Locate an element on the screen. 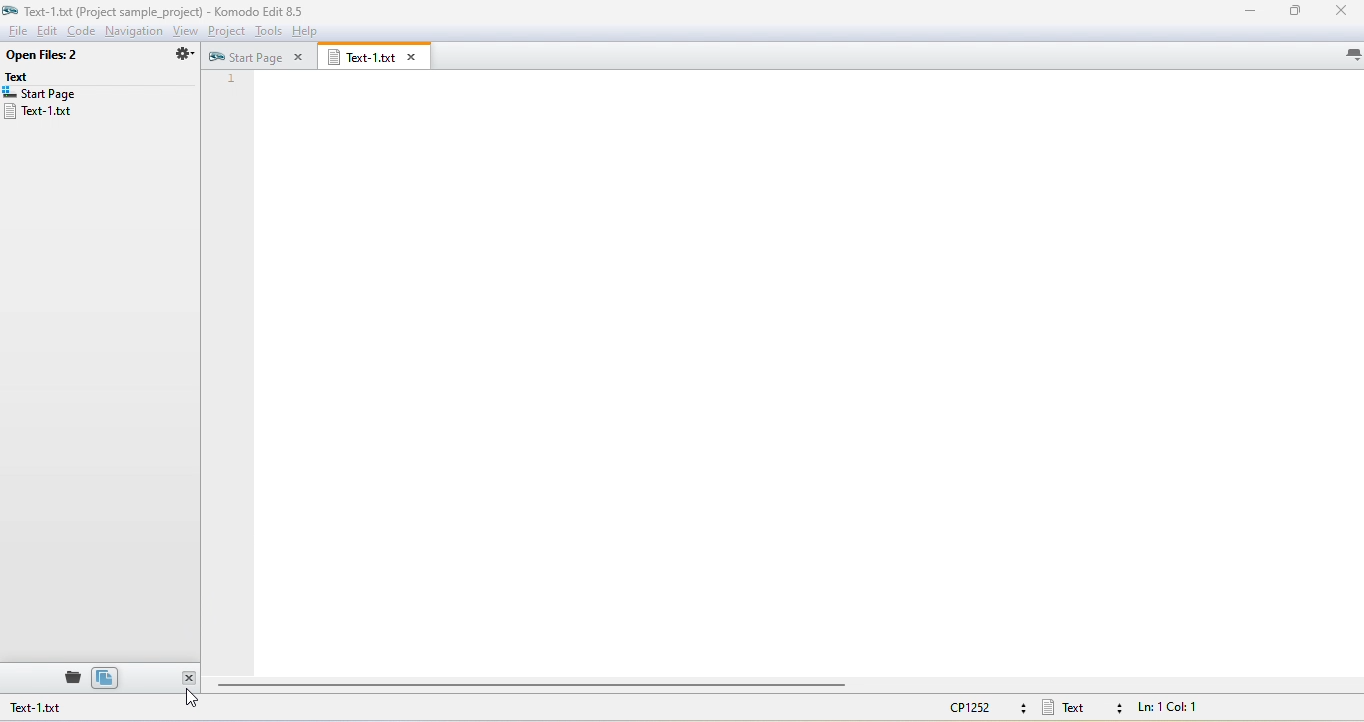 The image size is (1364, 722). open file is located at coordinates (105, 678).